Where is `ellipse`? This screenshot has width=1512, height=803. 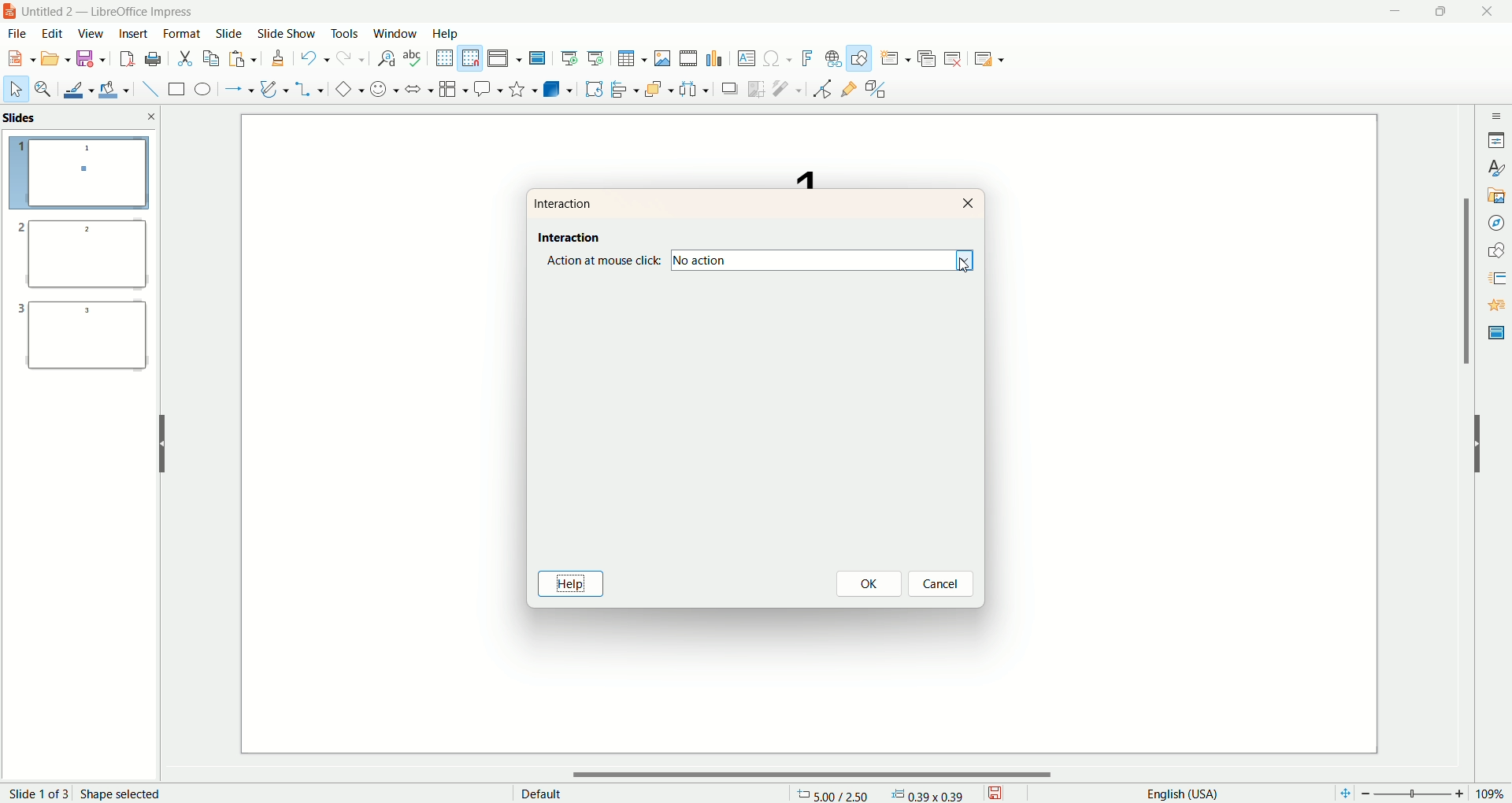 ellipse is located at coordinates (202, 91).